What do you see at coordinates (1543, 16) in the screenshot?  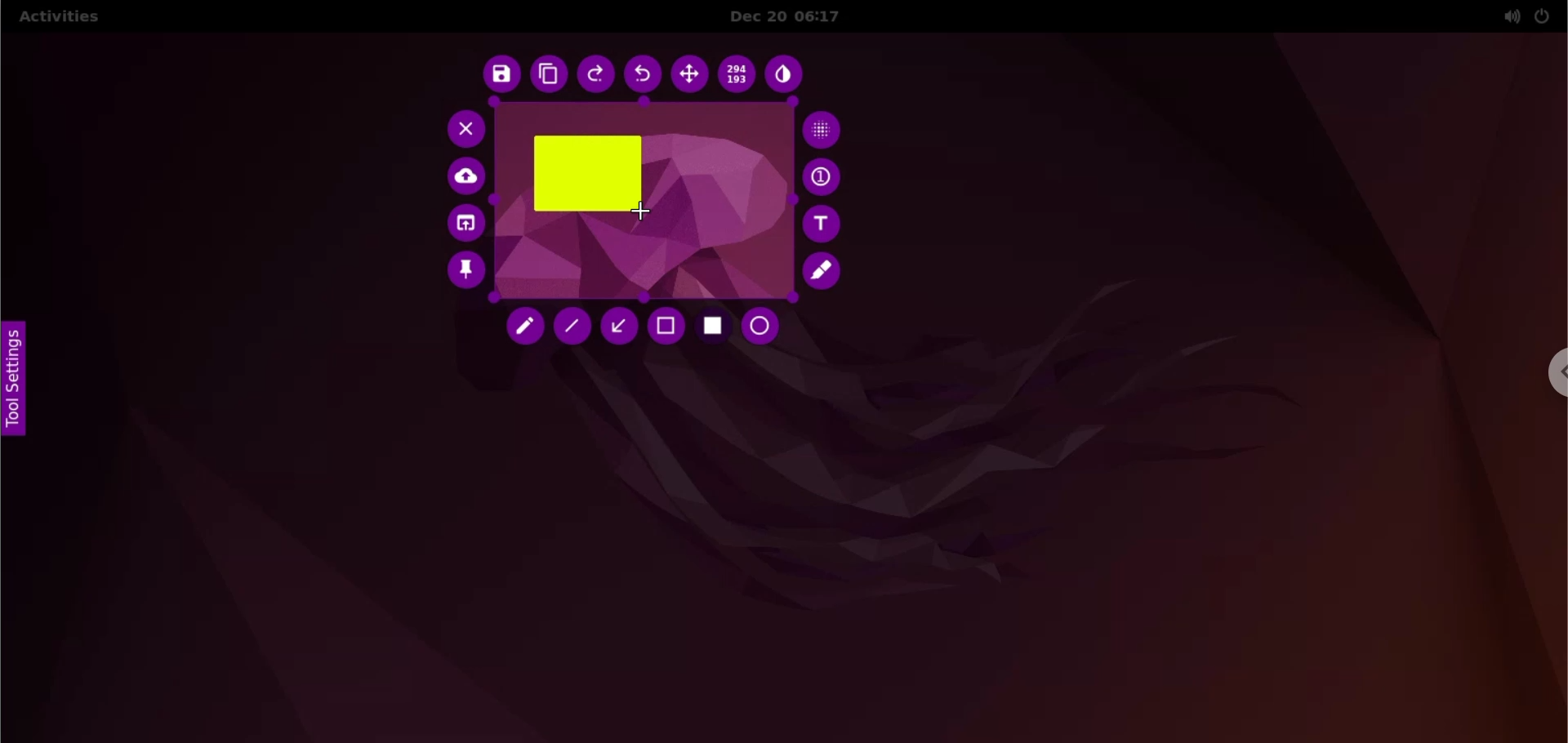 I see `power options` at bounding box center [1543, 16].